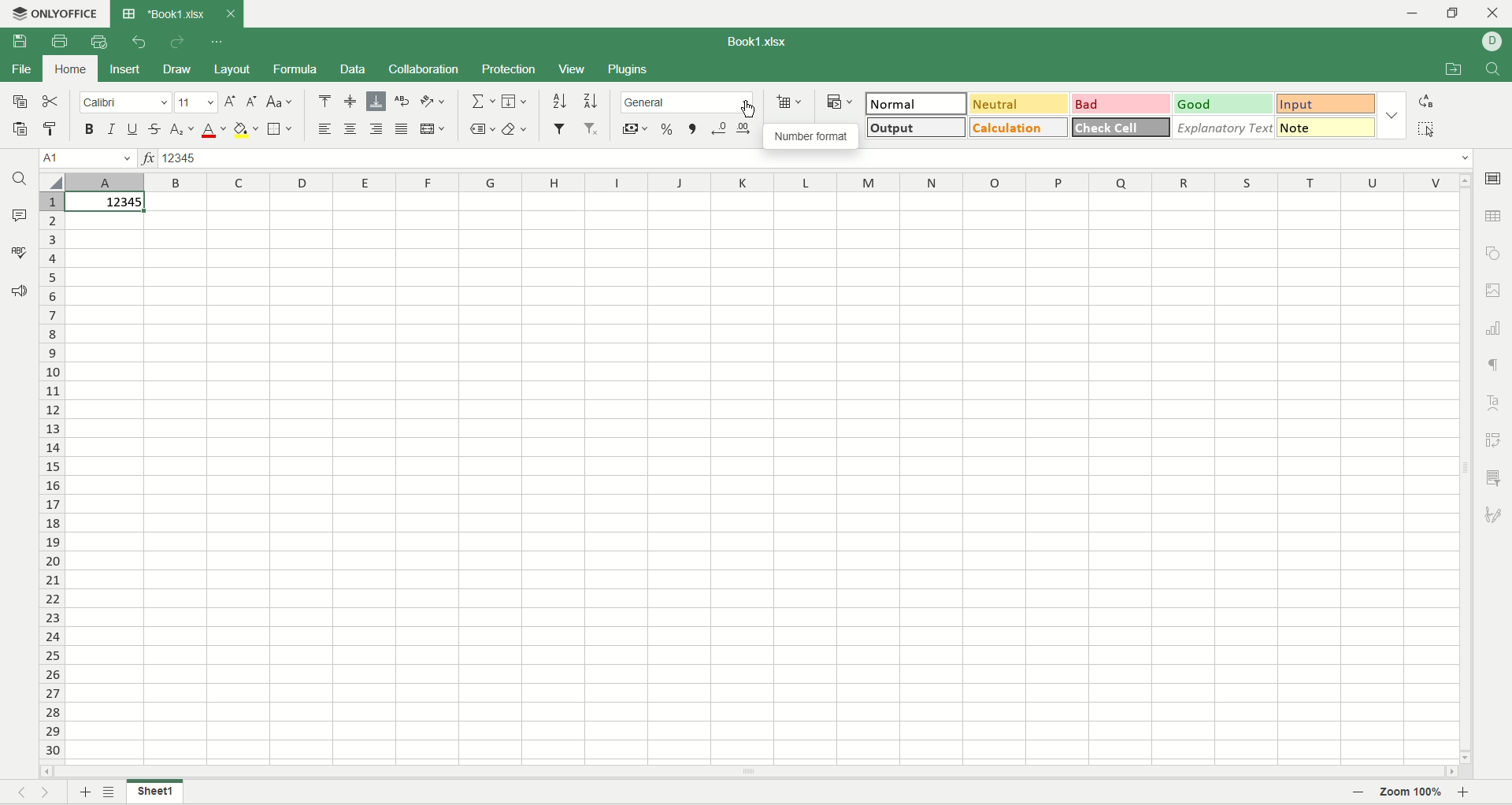 This screenshot has width=1512, height=805. I want to click on decrease font size, so click(252, 104).